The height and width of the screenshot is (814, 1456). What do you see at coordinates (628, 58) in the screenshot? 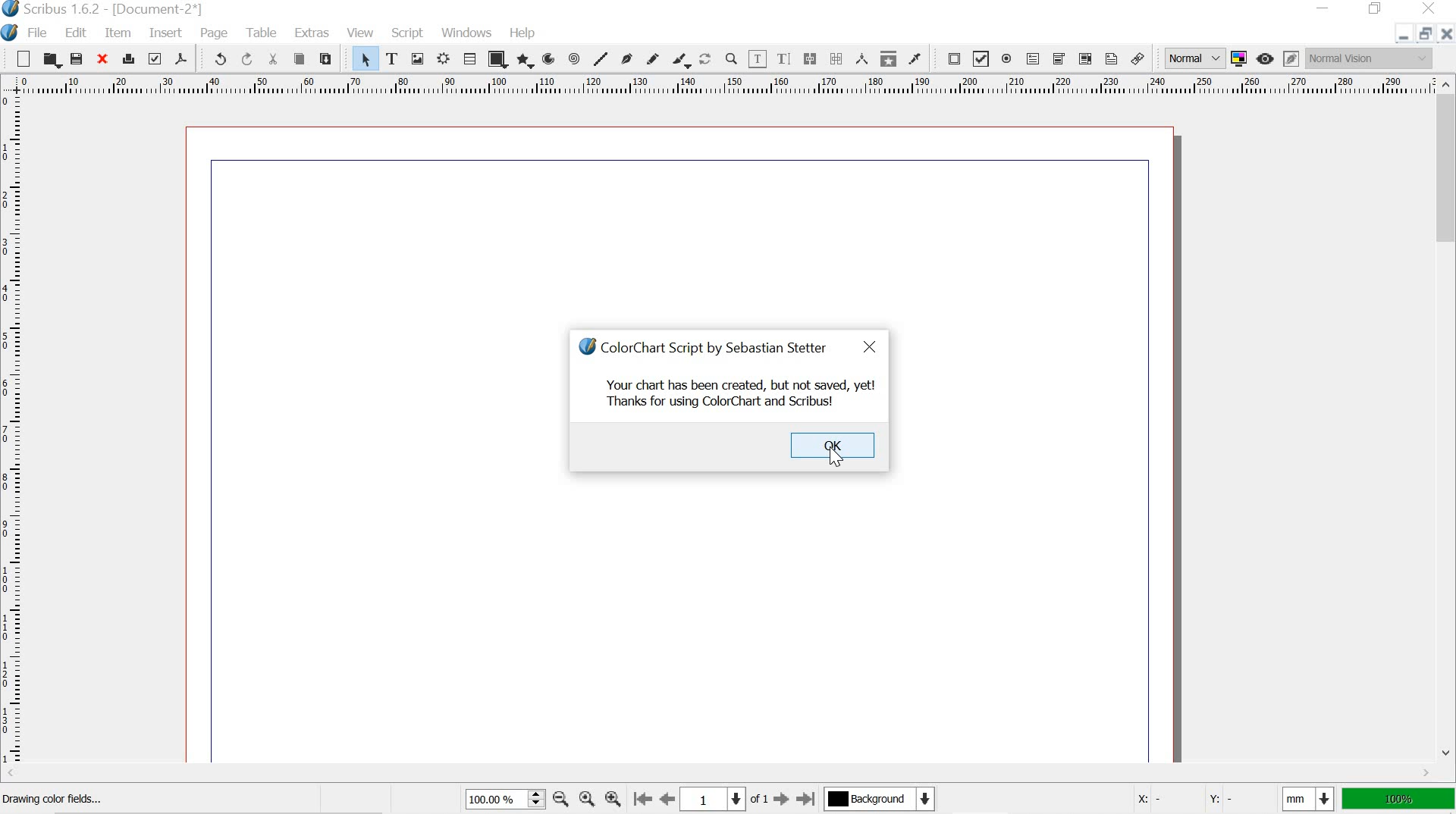
I see `bezier curve` at bounding box center [628, 58].